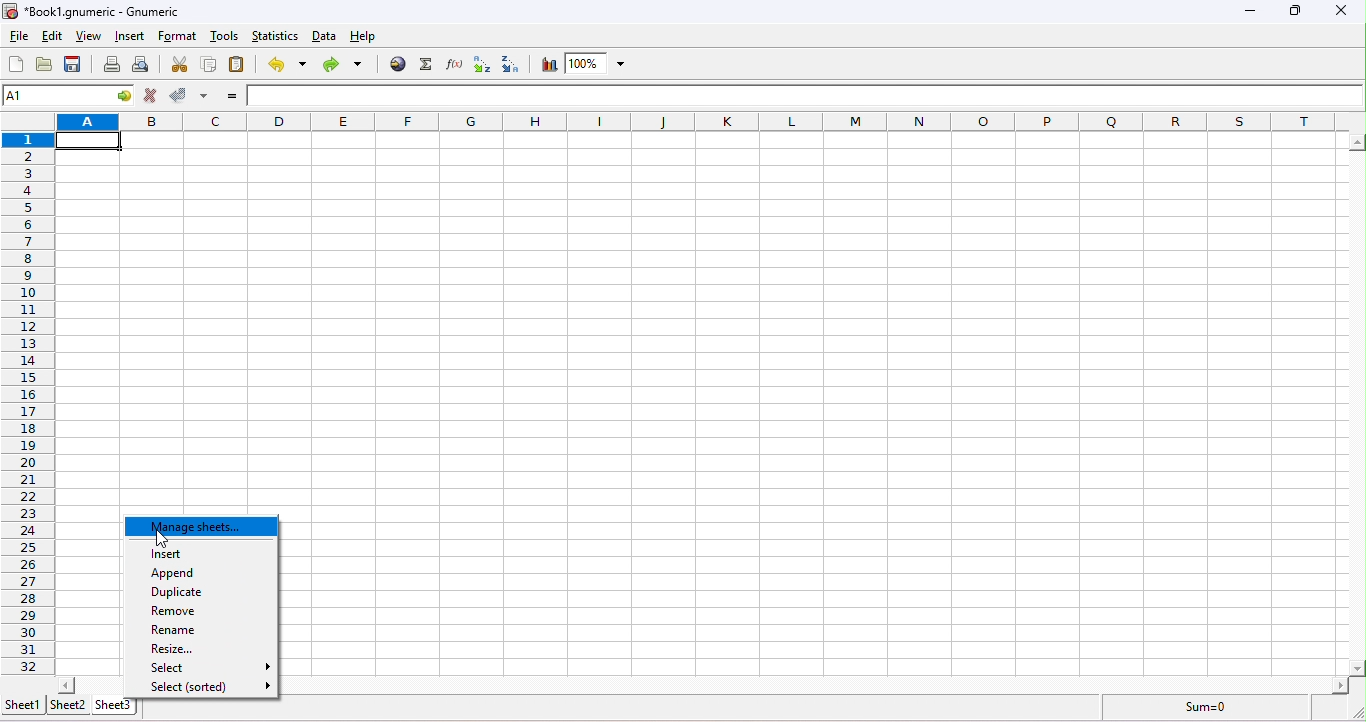 This screenshot has height=722, width=1366. Describe the element at coordinates (23, 708) in the screenshot. I see `sheet 1` at that location.